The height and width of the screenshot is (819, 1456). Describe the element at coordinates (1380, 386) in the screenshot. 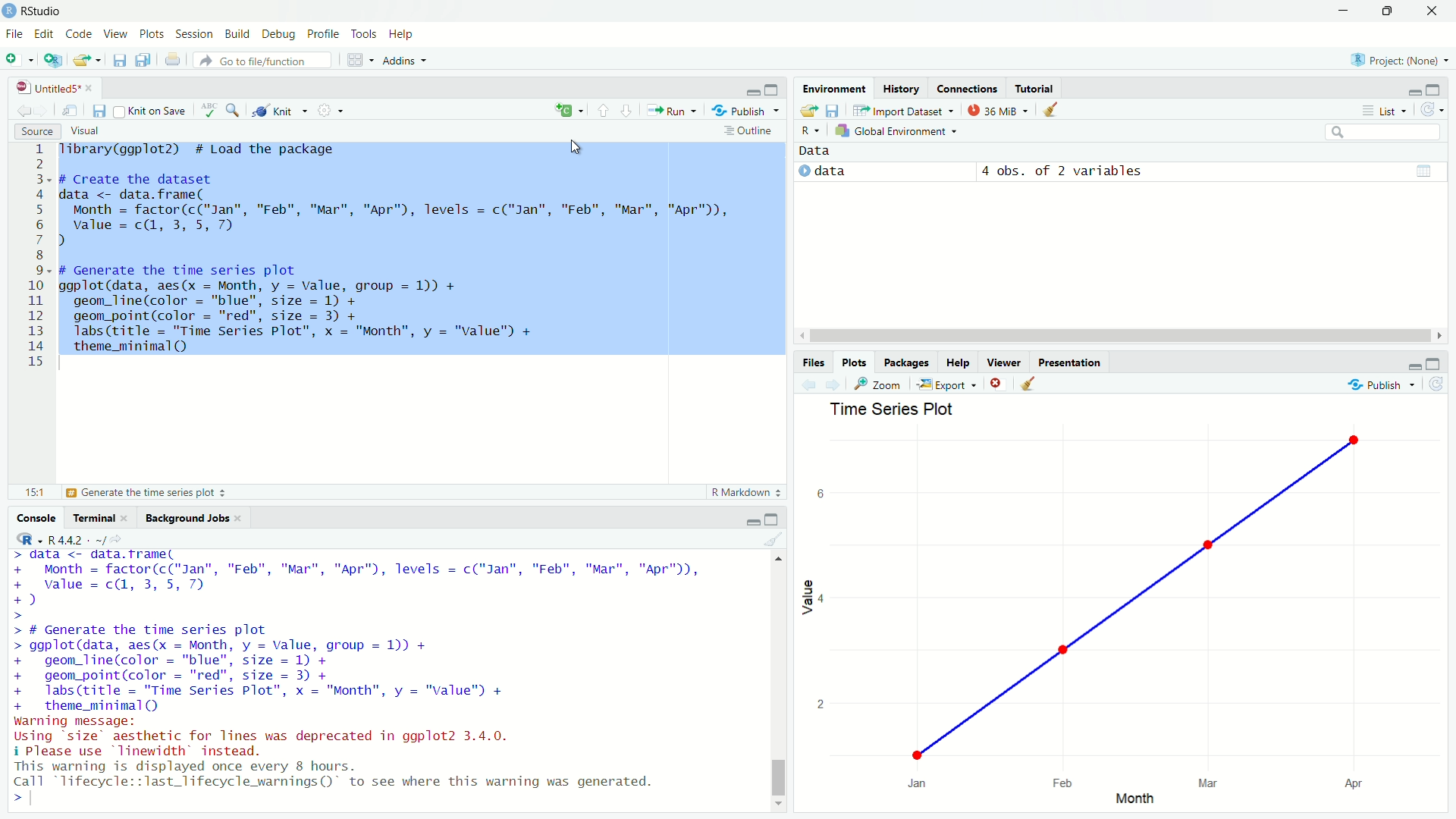

I see `publish` at that location.